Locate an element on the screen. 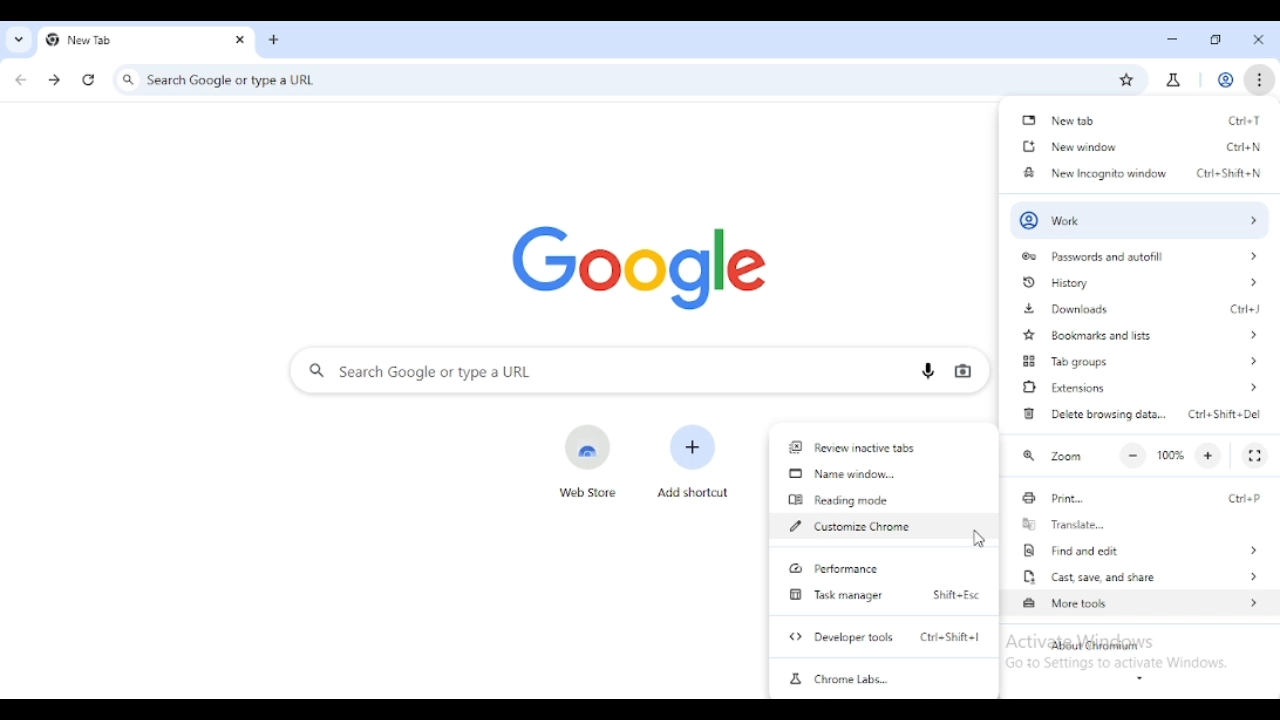 The image size is (1280, 720). delete browsing data is located at coordinates (1094, 413).